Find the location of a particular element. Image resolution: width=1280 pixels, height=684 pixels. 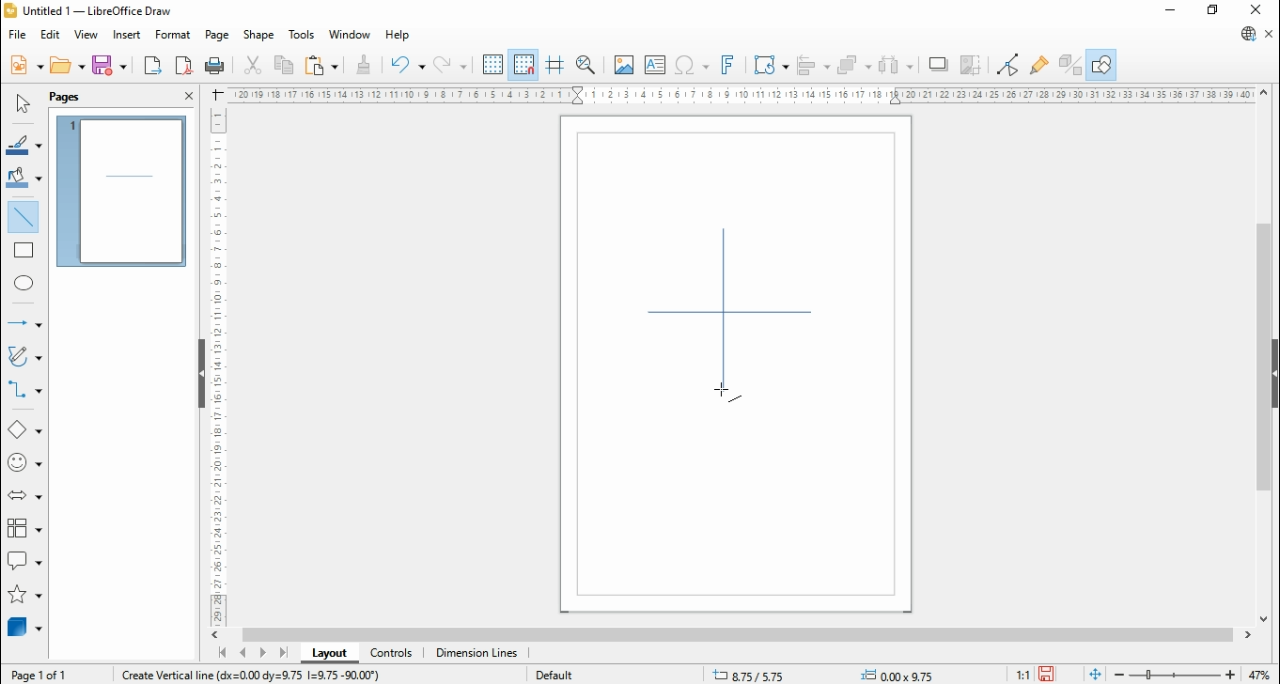

format is located at coordinates (174, 35).